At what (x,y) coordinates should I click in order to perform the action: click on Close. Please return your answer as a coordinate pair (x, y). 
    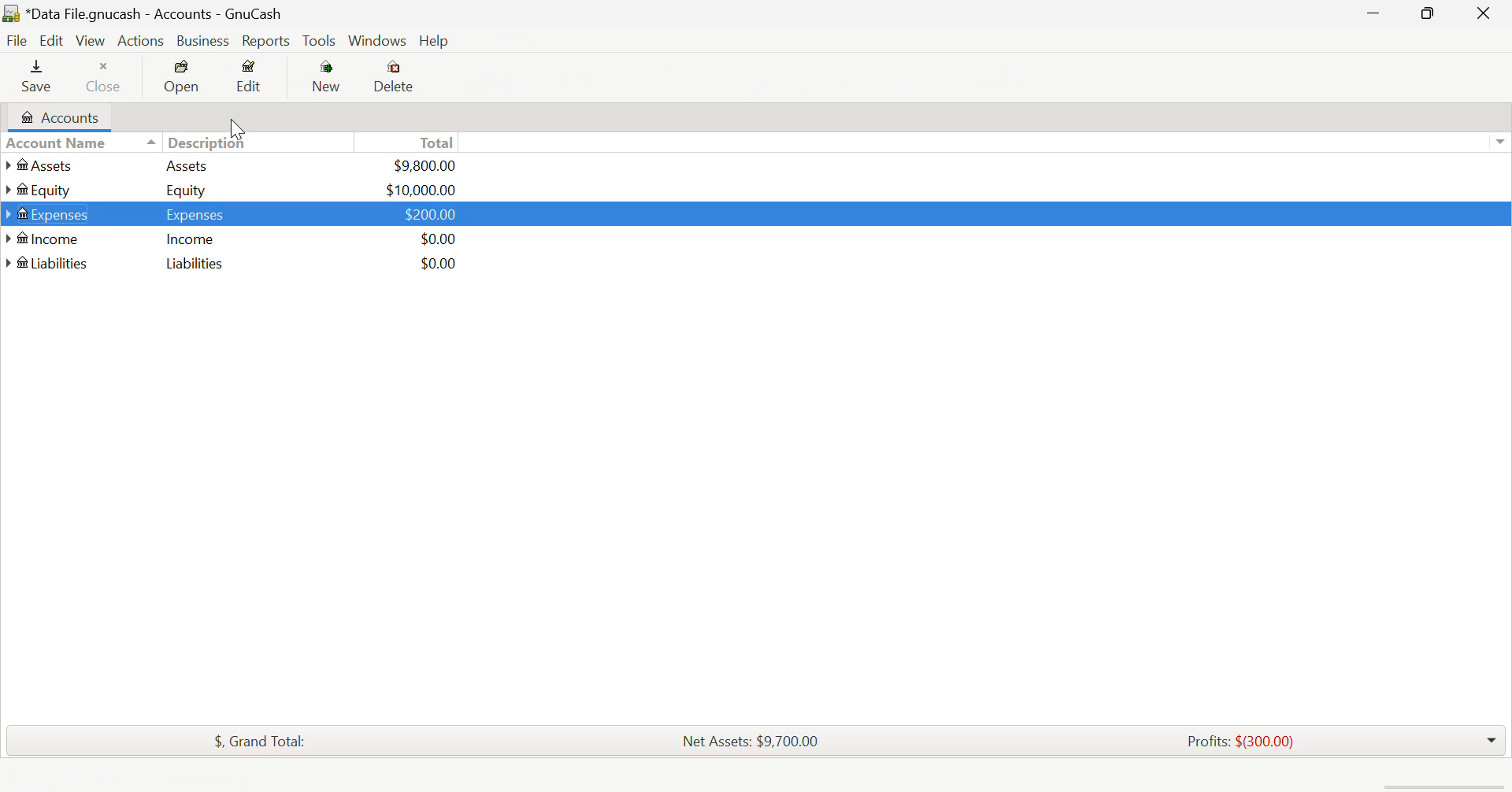
    Looking at the image, I should click on (105, 77).